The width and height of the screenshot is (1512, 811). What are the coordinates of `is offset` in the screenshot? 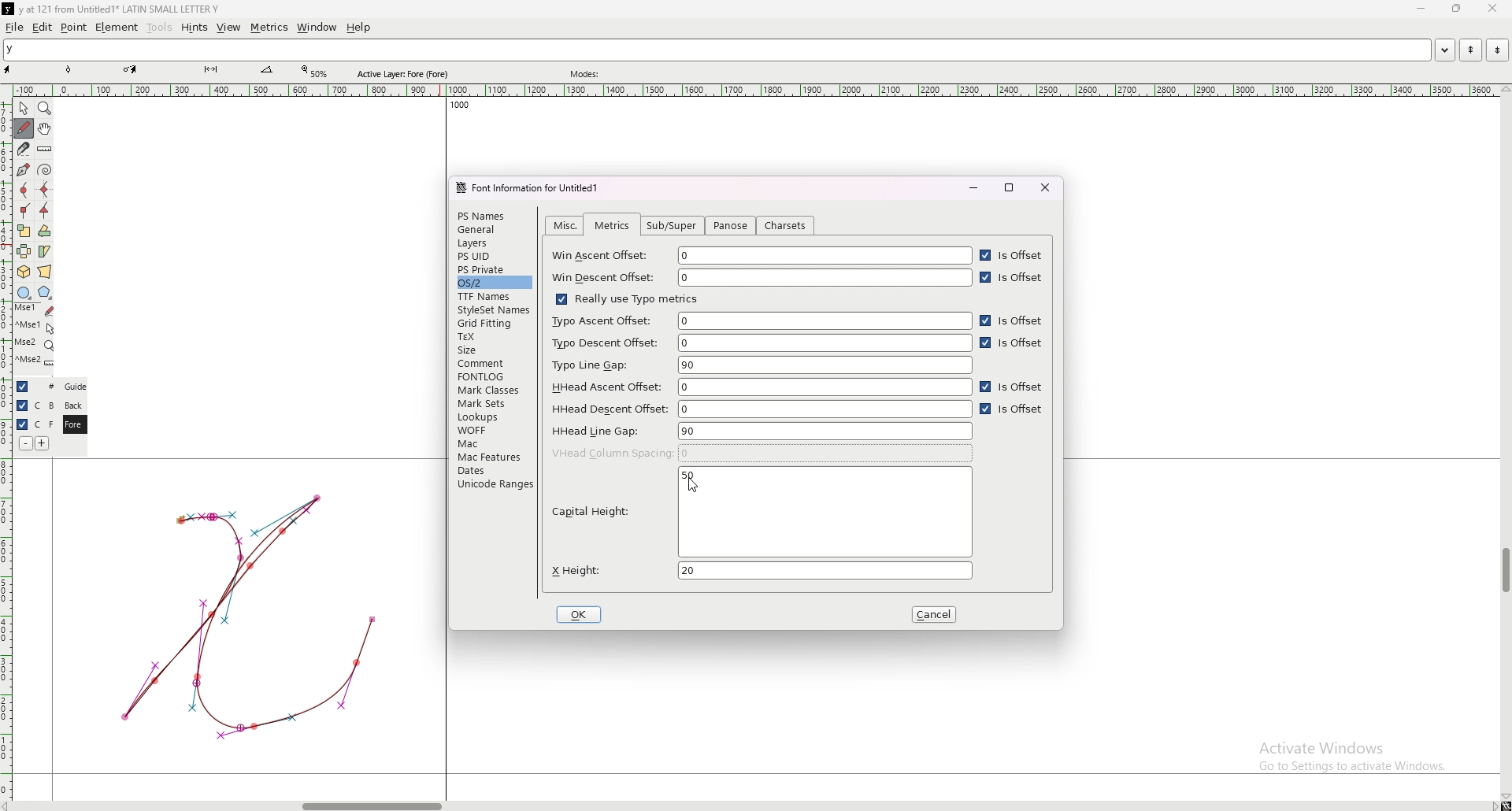 It's located at (1015, 278).